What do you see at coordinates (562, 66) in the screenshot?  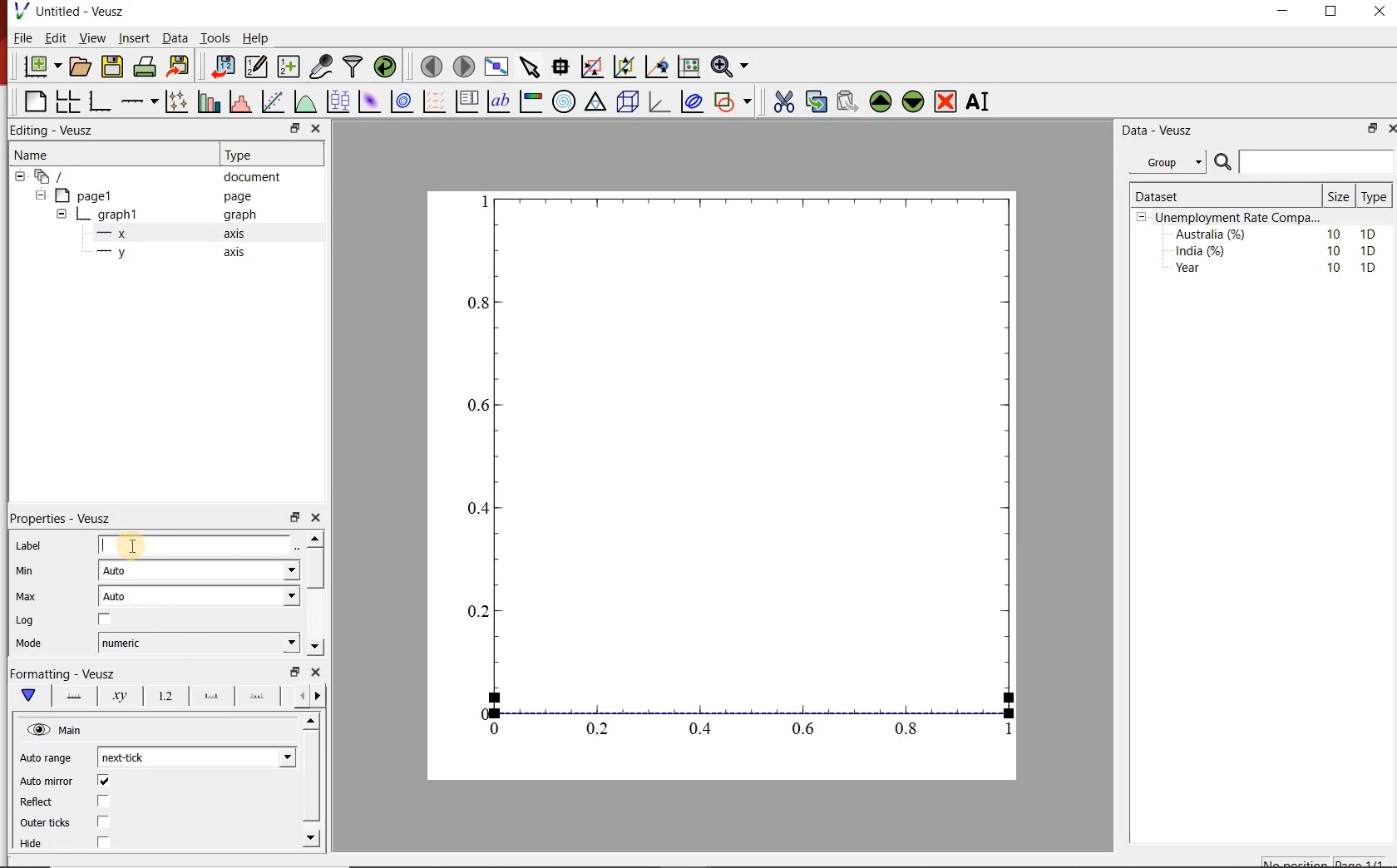 I see `read the data points` at bounding box center [562, 66].